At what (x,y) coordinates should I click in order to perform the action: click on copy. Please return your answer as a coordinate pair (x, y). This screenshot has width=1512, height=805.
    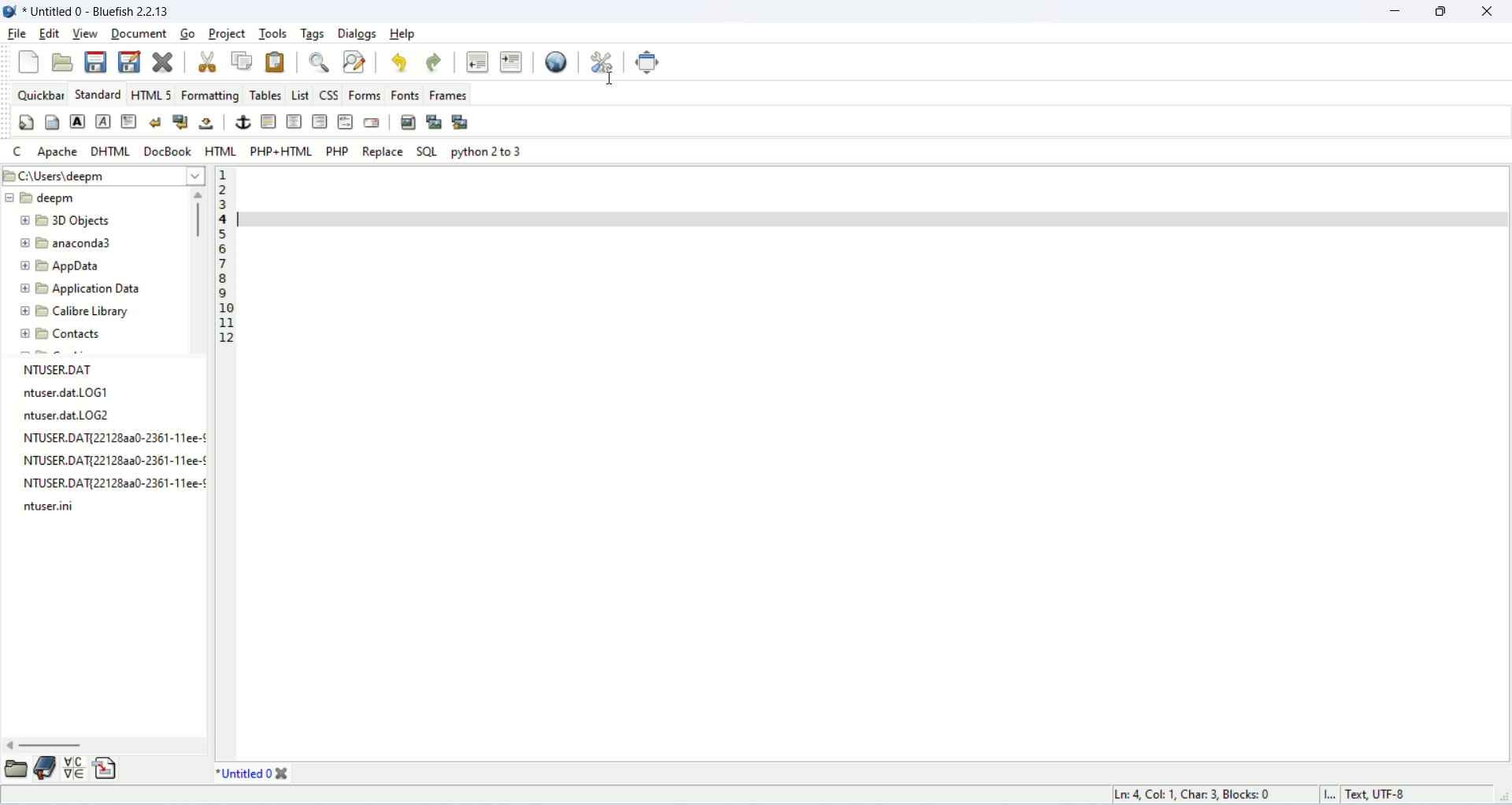
    Looking at the image, I should click on (241, 61).